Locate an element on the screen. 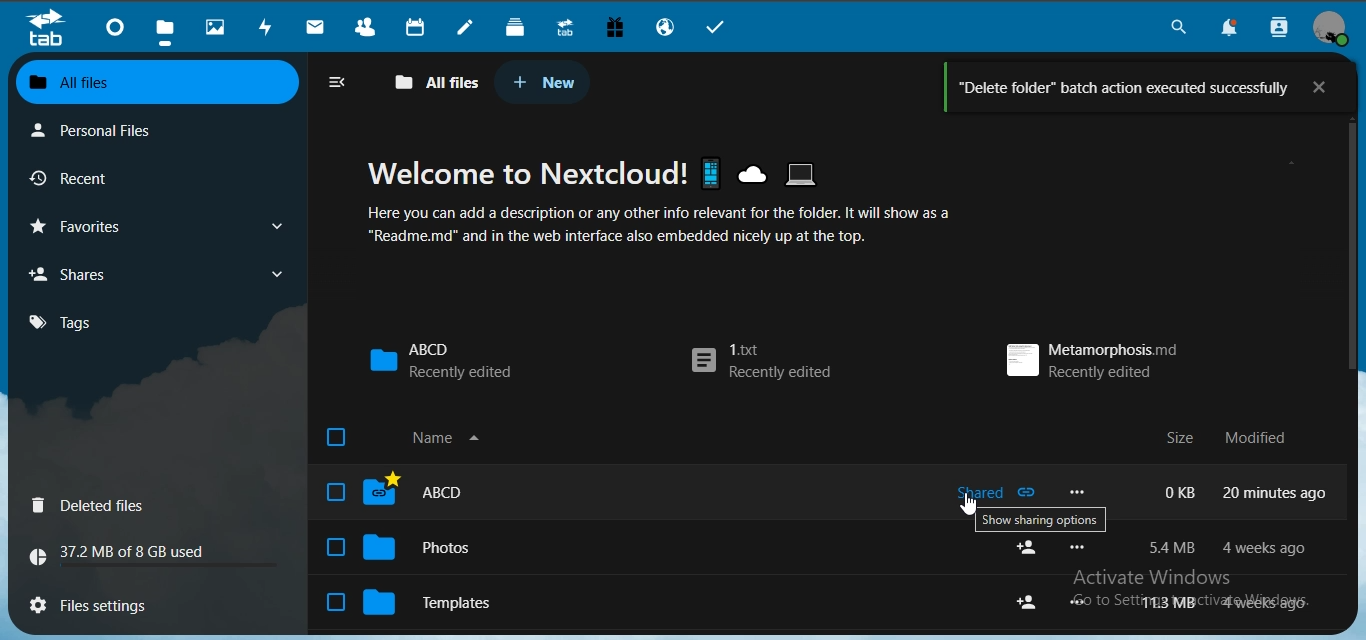  o kb is located at coordinates (1174, 547).